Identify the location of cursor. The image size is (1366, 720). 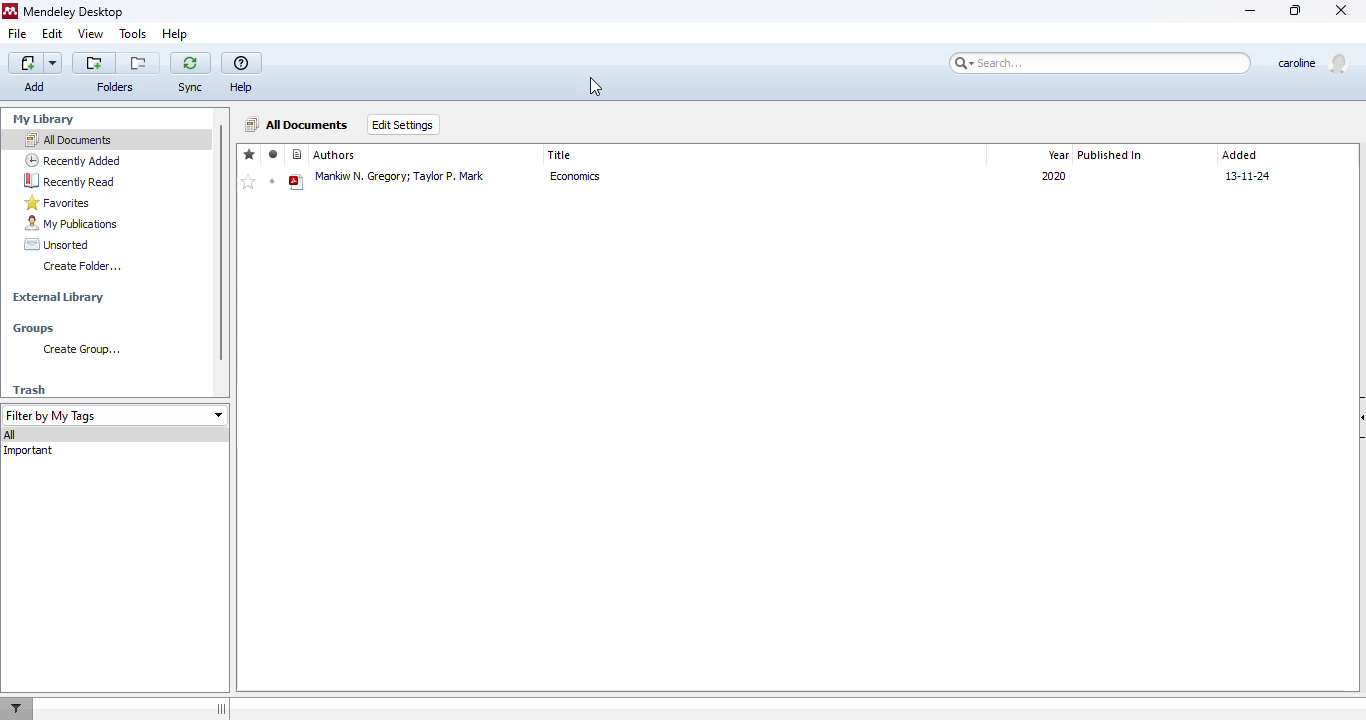
(595, 87).